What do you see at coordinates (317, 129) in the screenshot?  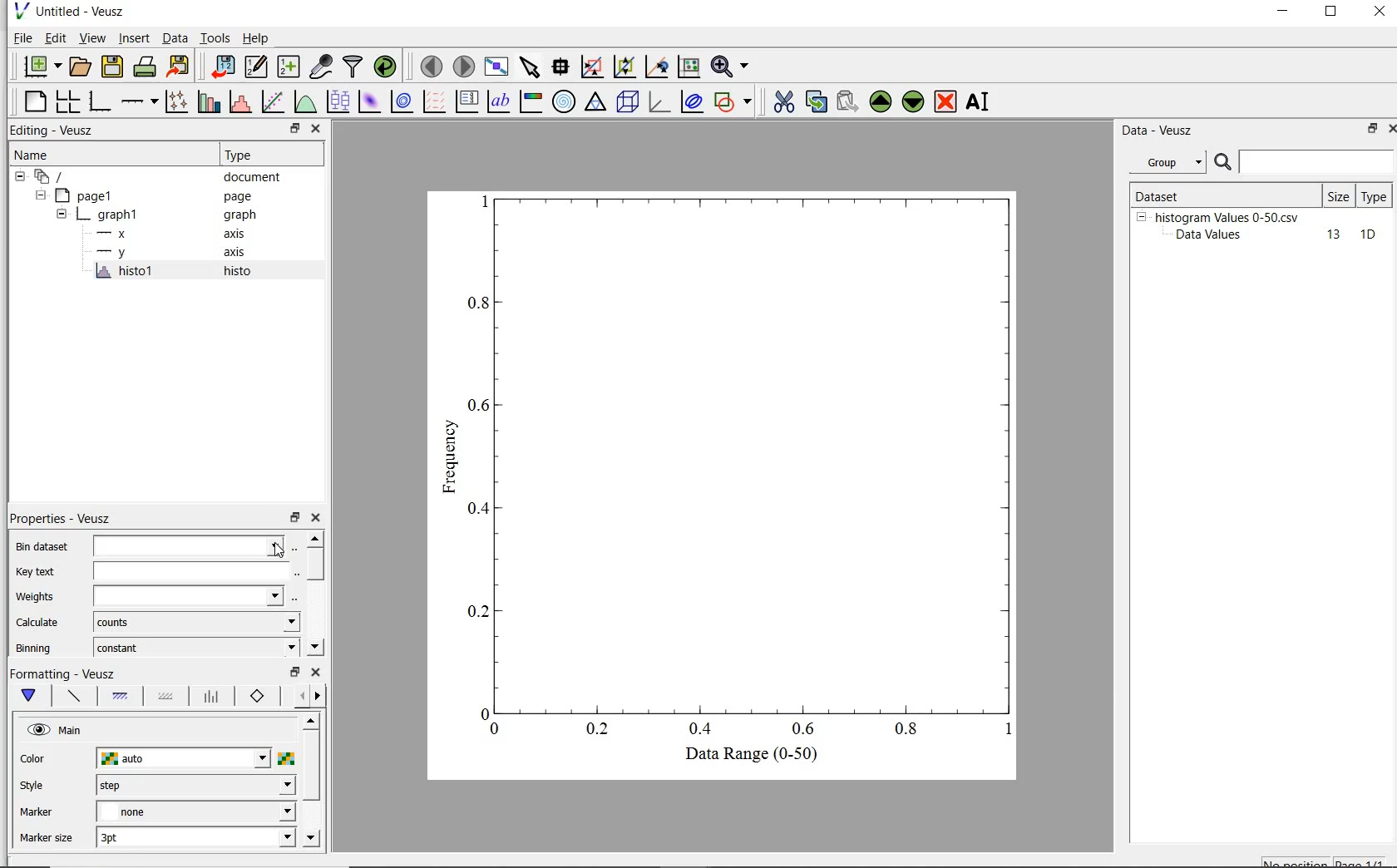 I see `close` at bounding box center [317, 129].